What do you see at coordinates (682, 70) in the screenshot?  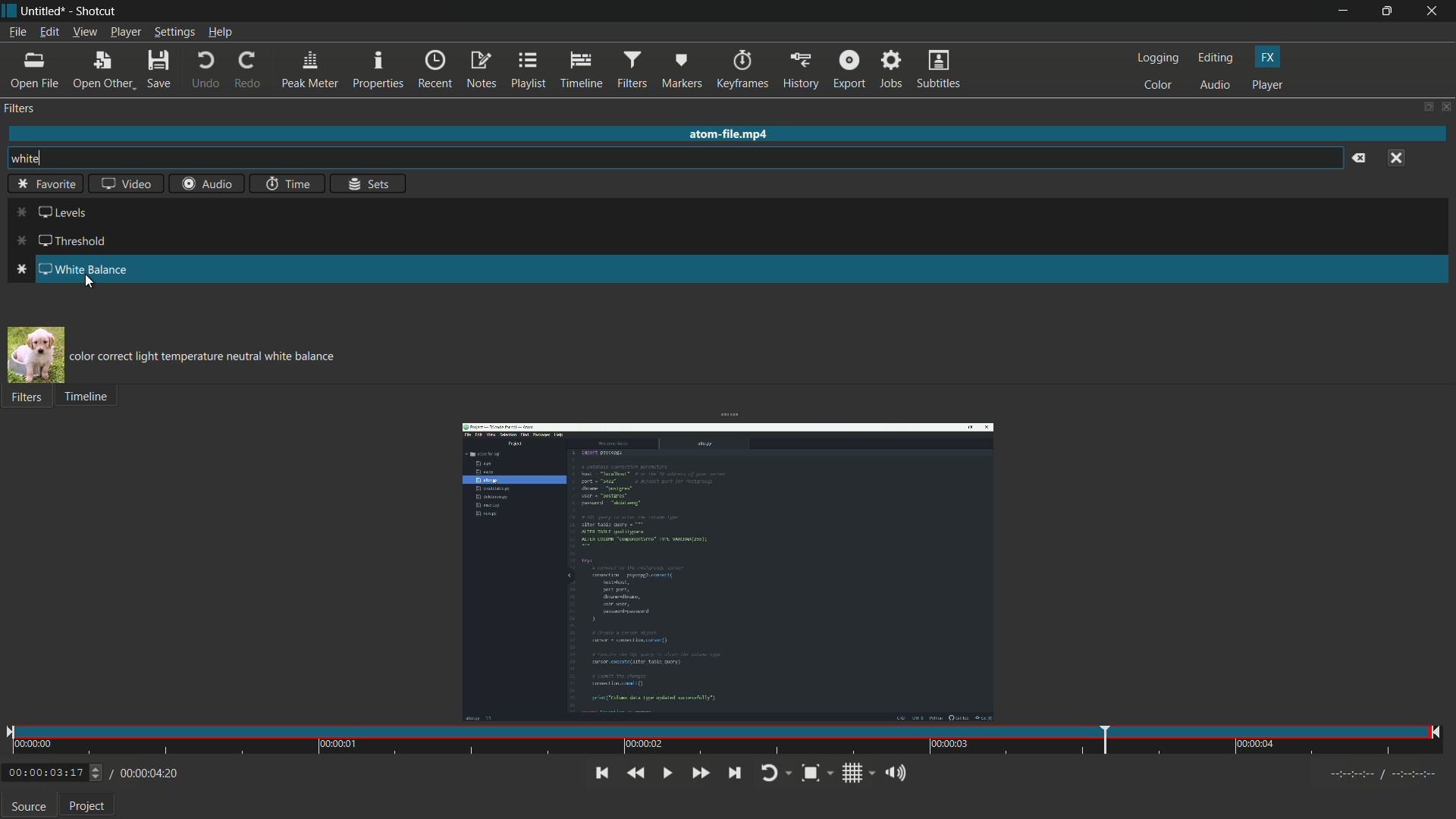 I see `markers` at bounding box center [682, 70].